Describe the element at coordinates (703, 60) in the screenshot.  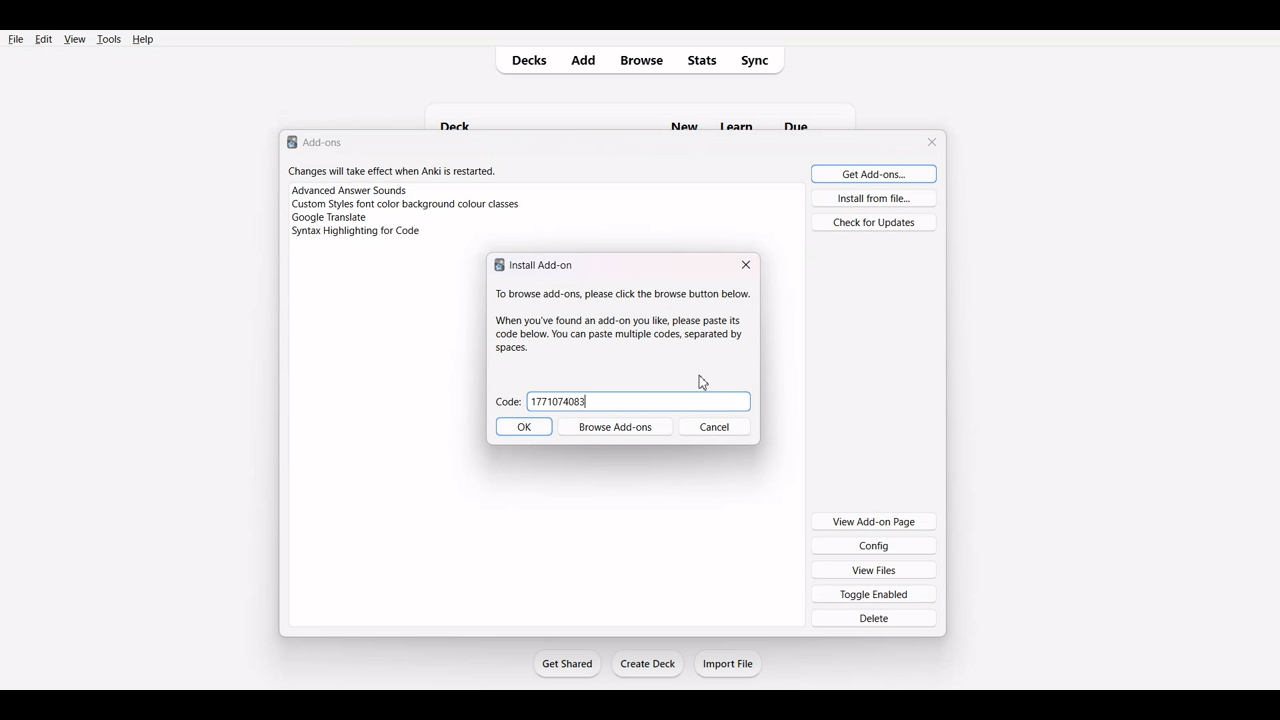
I see `Stats` at that location.